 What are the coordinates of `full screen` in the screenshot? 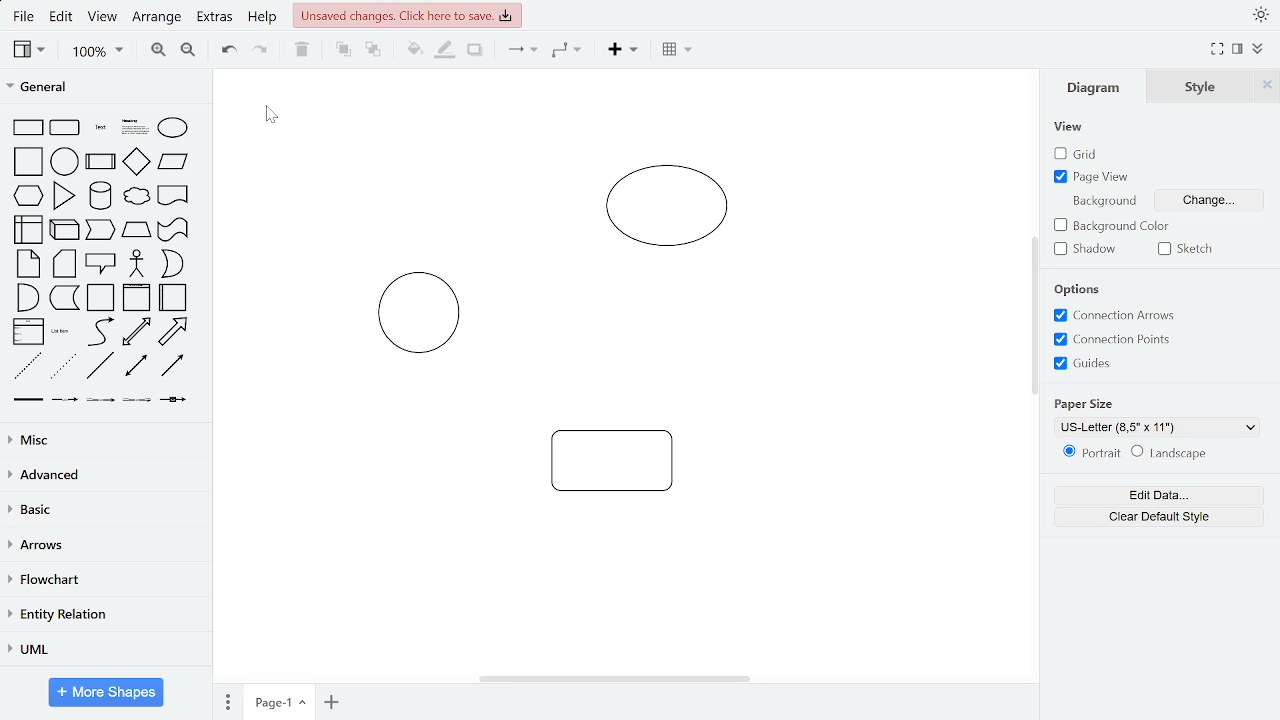 It's located at (1216, 50).